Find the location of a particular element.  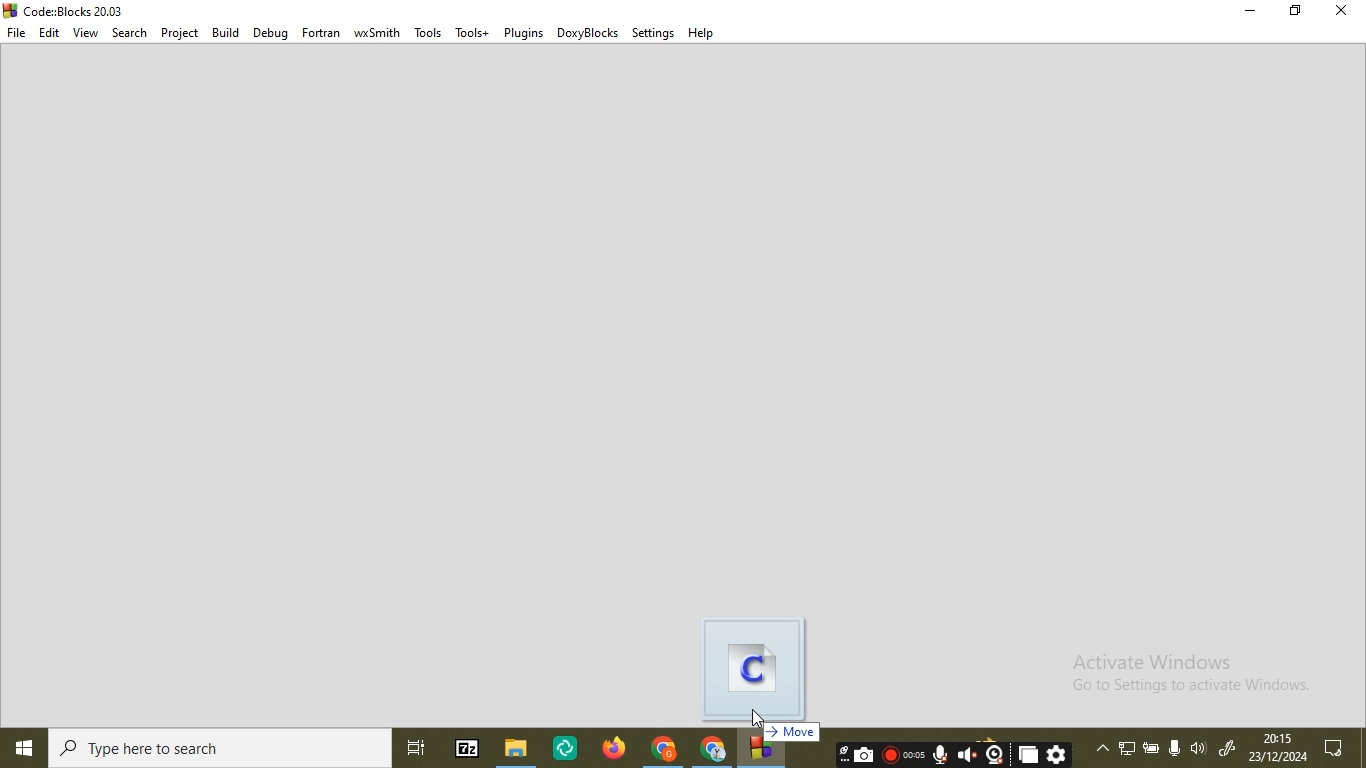

settings is located at coordinates (652, 32).